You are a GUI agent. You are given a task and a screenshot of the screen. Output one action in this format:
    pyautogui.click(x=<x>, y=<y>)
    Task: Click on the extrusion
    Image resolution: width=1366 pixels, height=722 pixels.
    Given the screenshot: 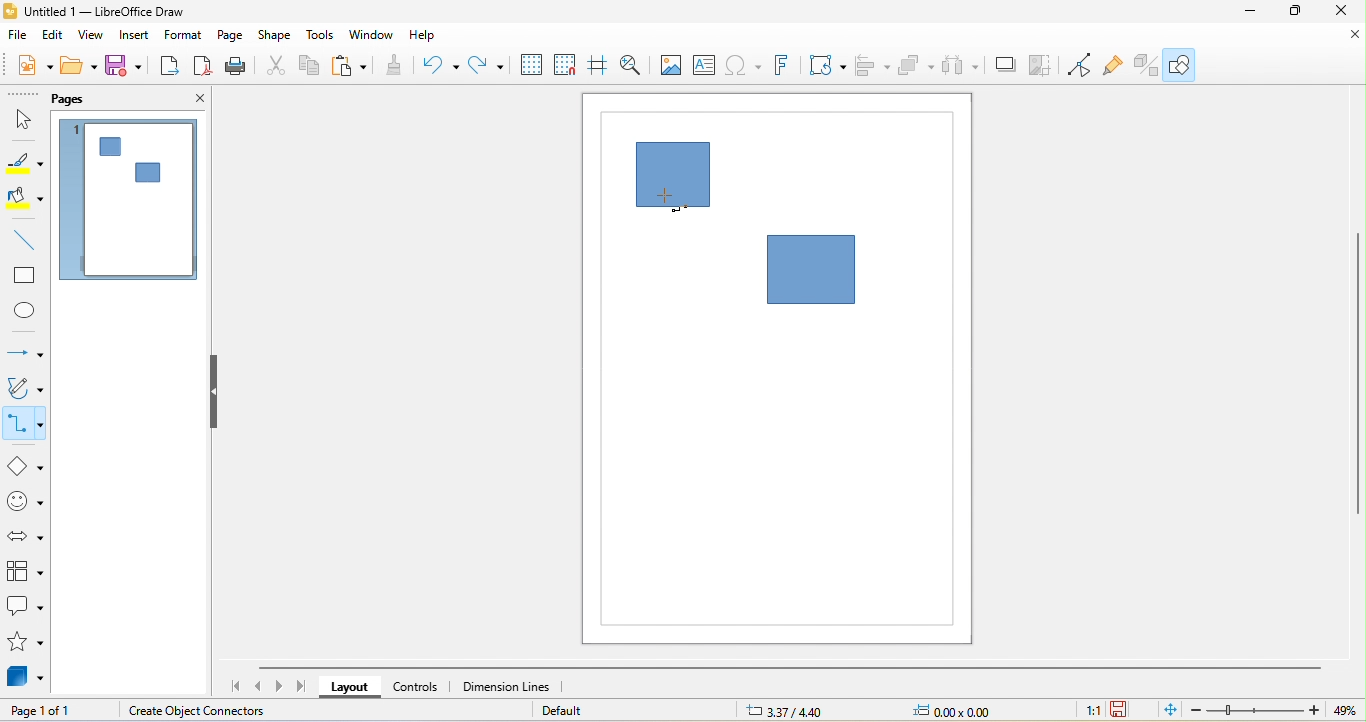 What is the action you would take?
    pyautogui.click(x=1150, y=65)
    